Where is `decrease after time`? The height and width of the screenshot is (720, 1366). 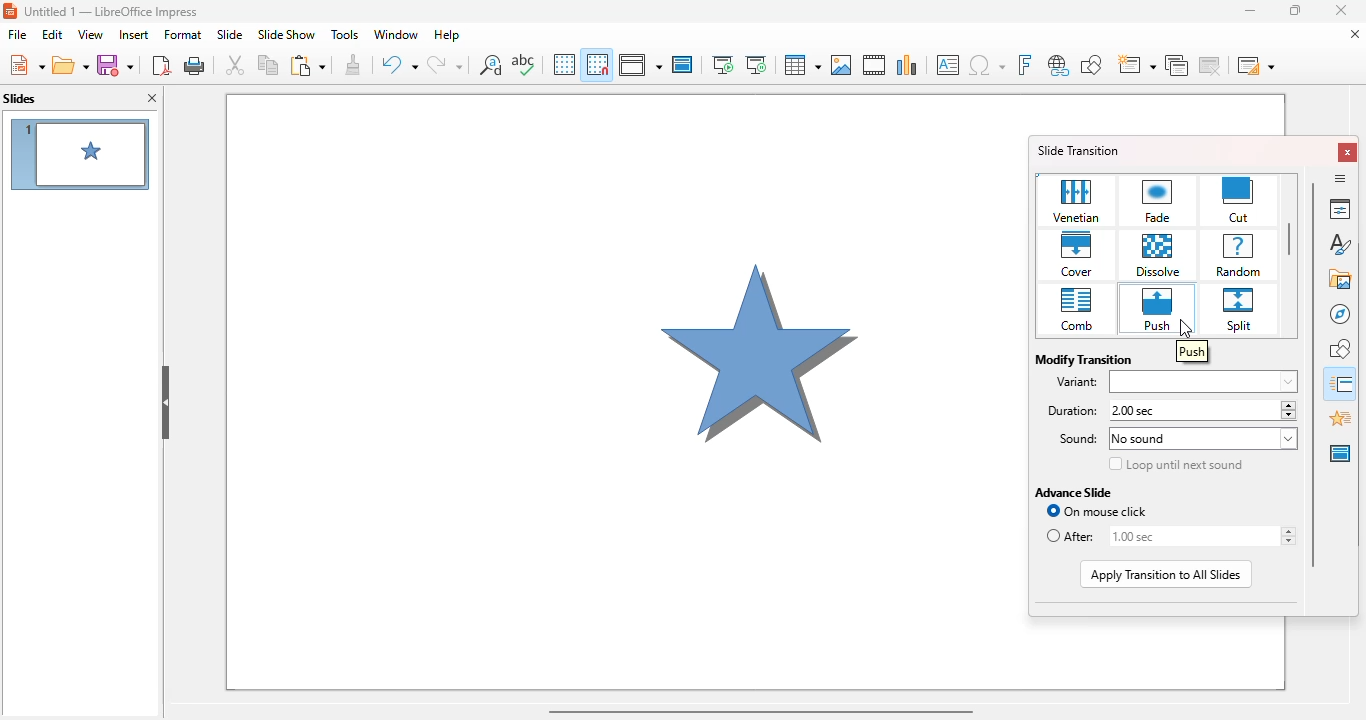
decrease after time is located at coordinates (1287, 542).